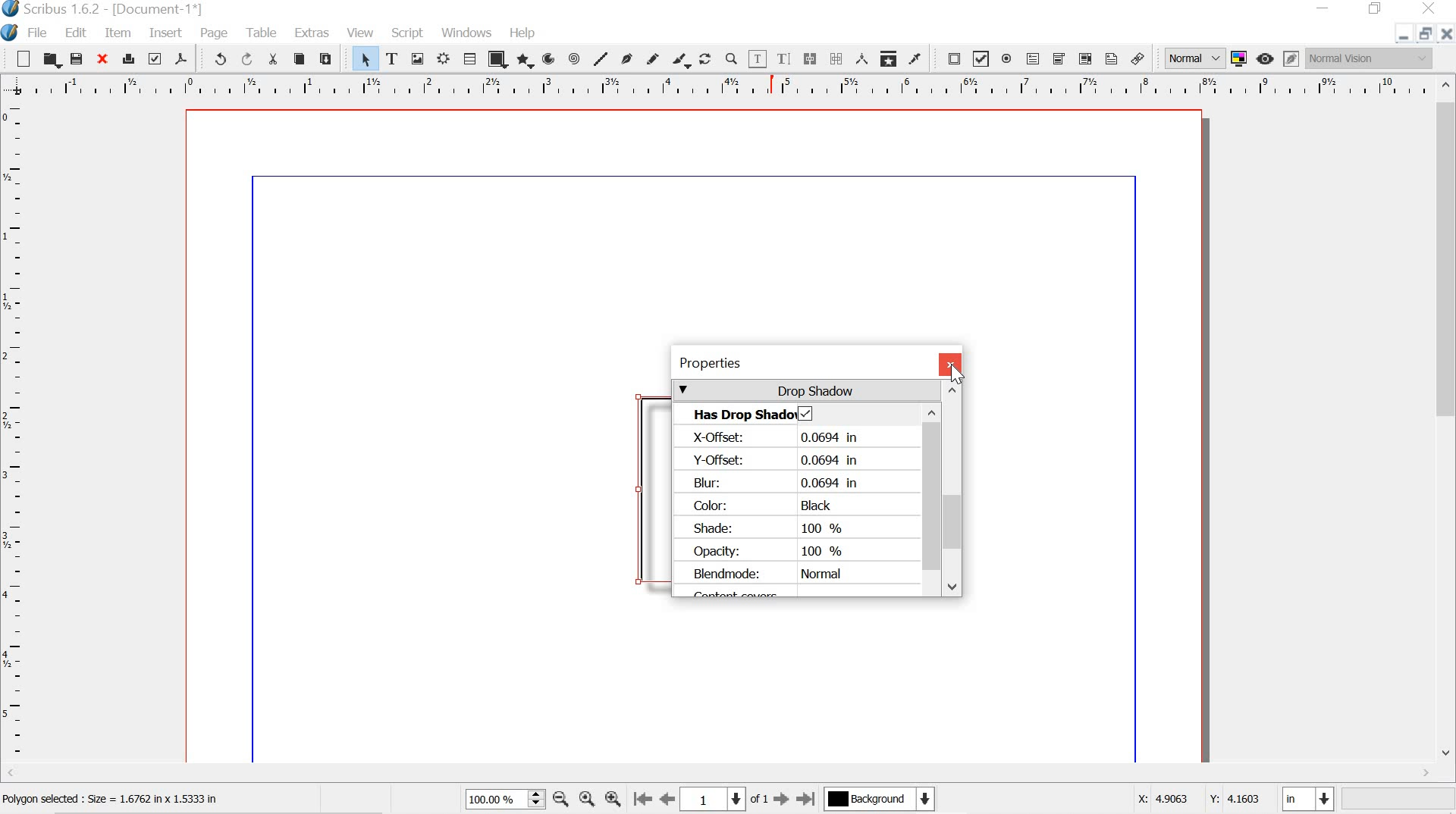  What do you see at coordinates (775, 527) in the screenshot?
I see `Shade: 100 %` at bounding box center [775, 527].